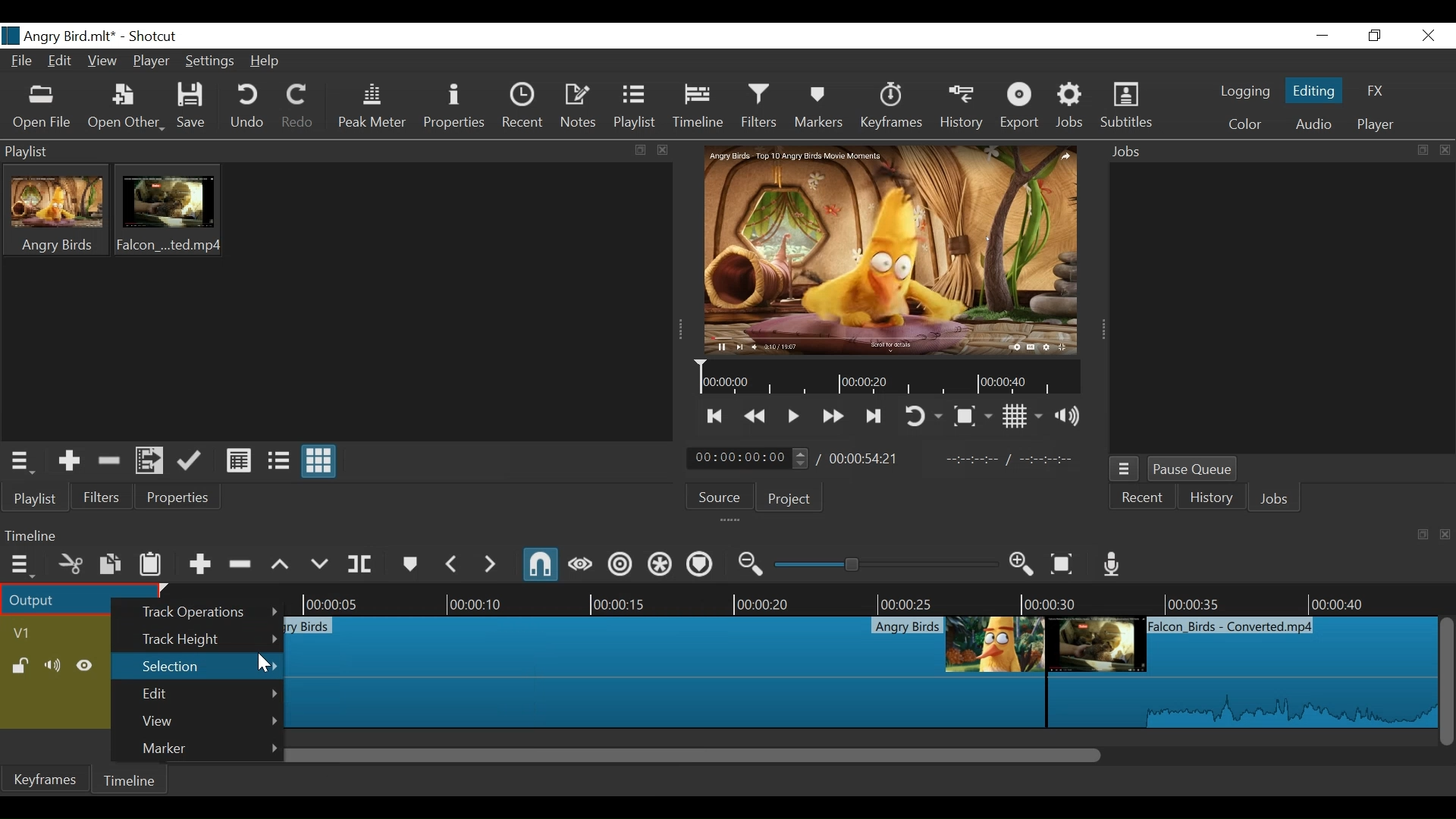  I want to click on , so click(727, 535).